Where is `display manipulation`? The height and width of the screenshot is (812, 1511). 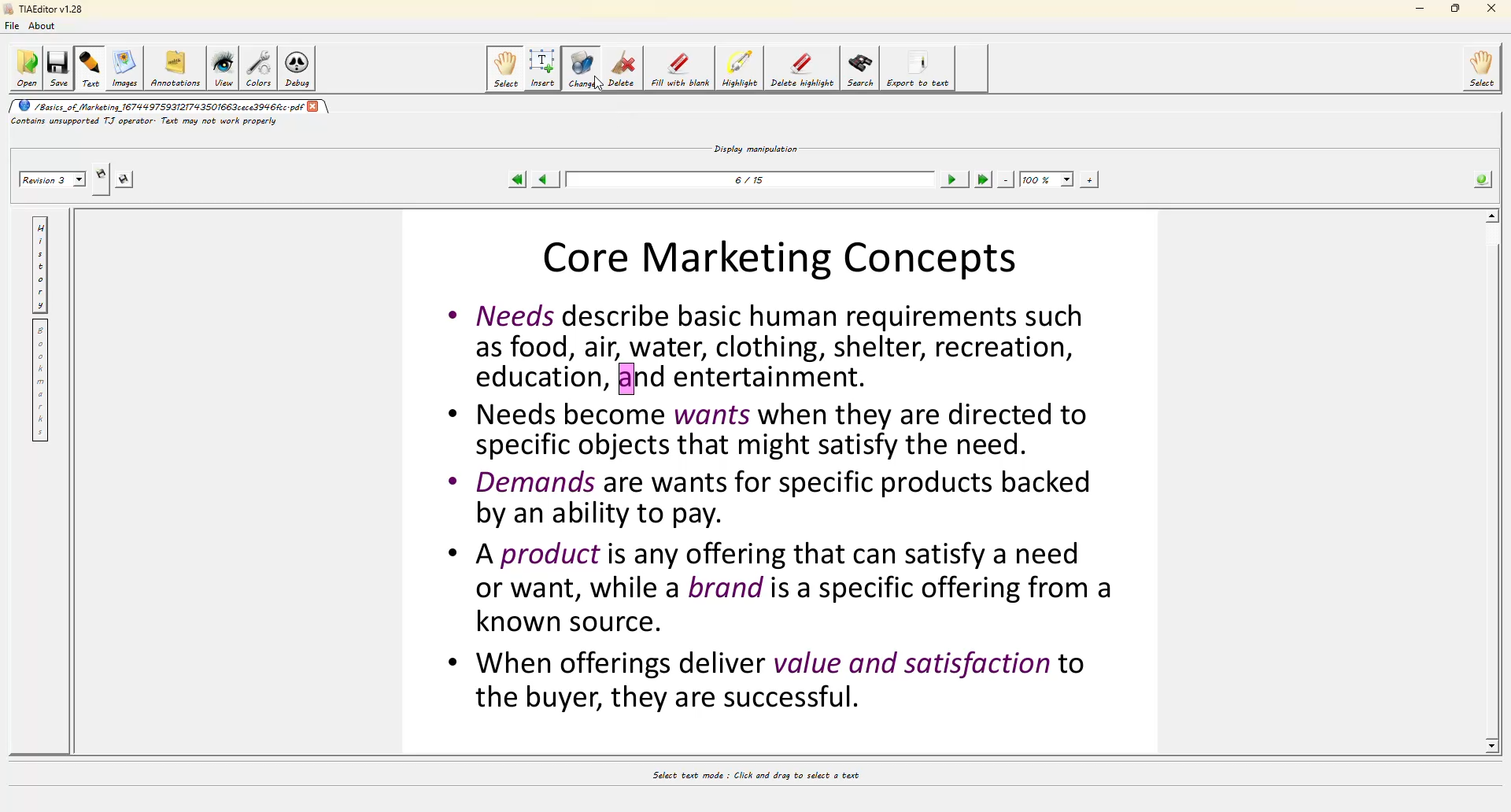 display manipulation is located at coordinates (757, 146).